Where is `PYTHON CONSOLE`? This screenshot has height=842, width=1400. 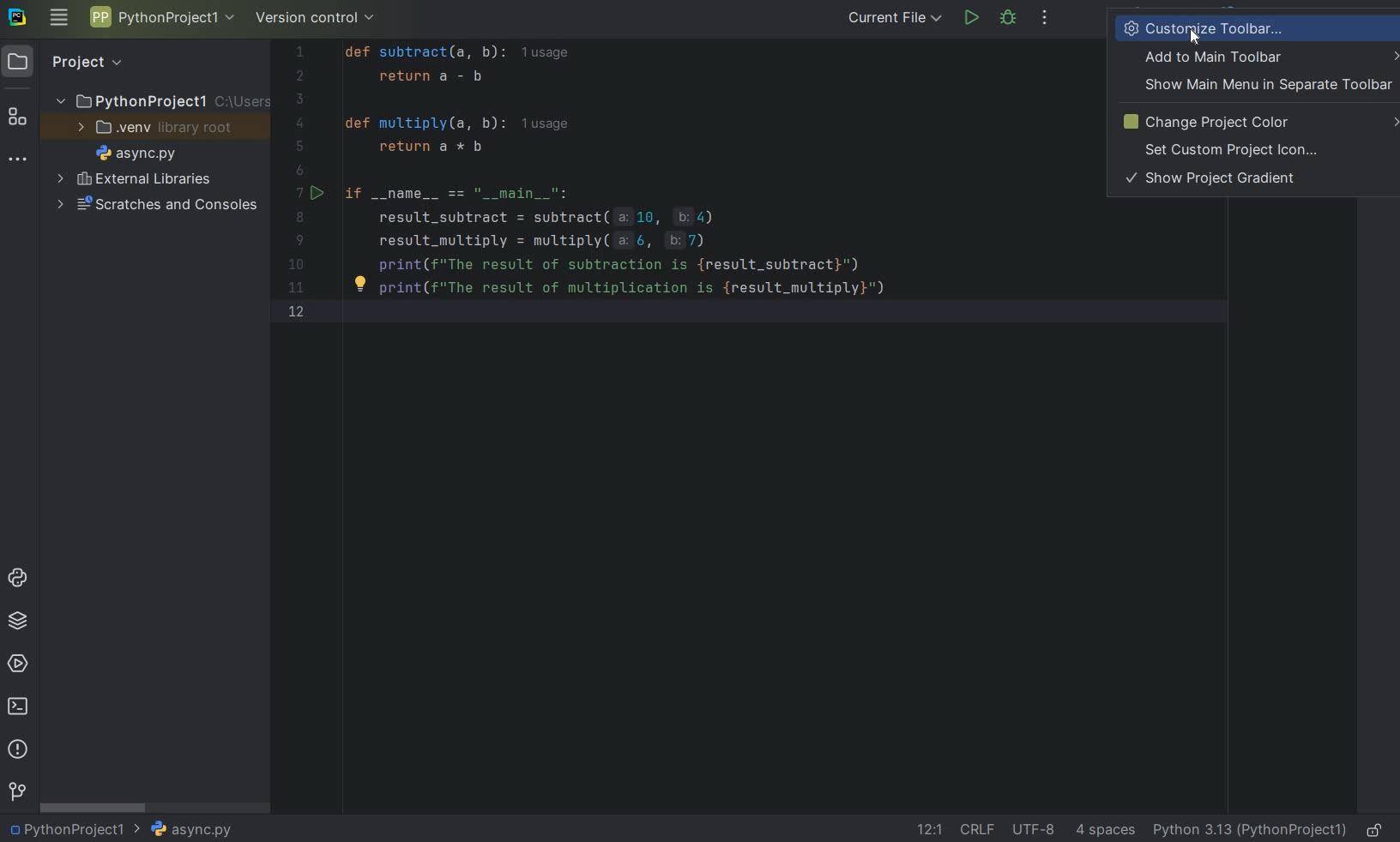
PYTHON CONSOLE is located at coordinates (20, 581).